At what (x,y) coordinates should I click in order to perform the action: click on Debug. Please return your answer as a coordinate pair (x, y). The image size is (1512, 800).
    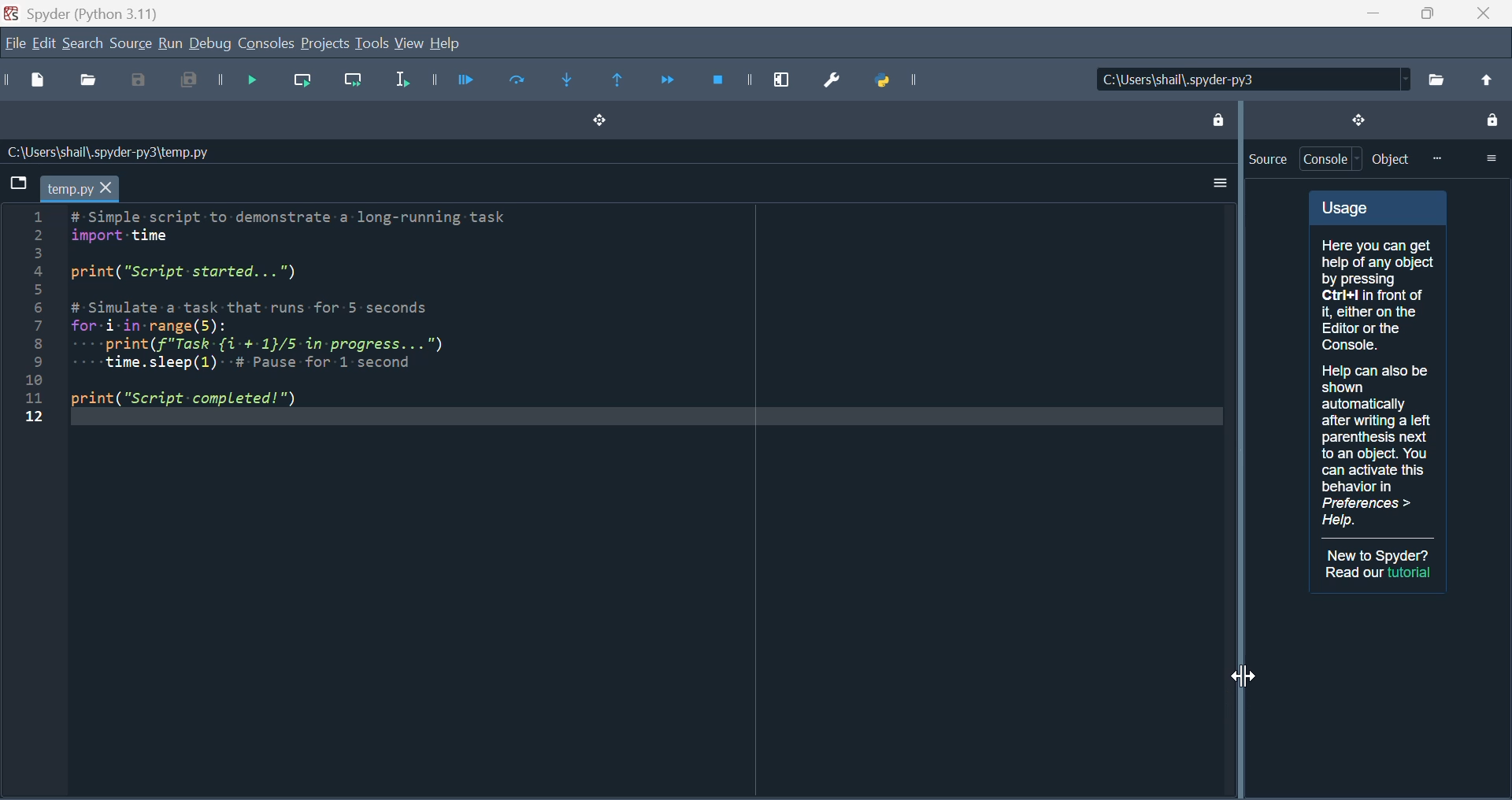
    Looking at the image, I should click on (211, 45).